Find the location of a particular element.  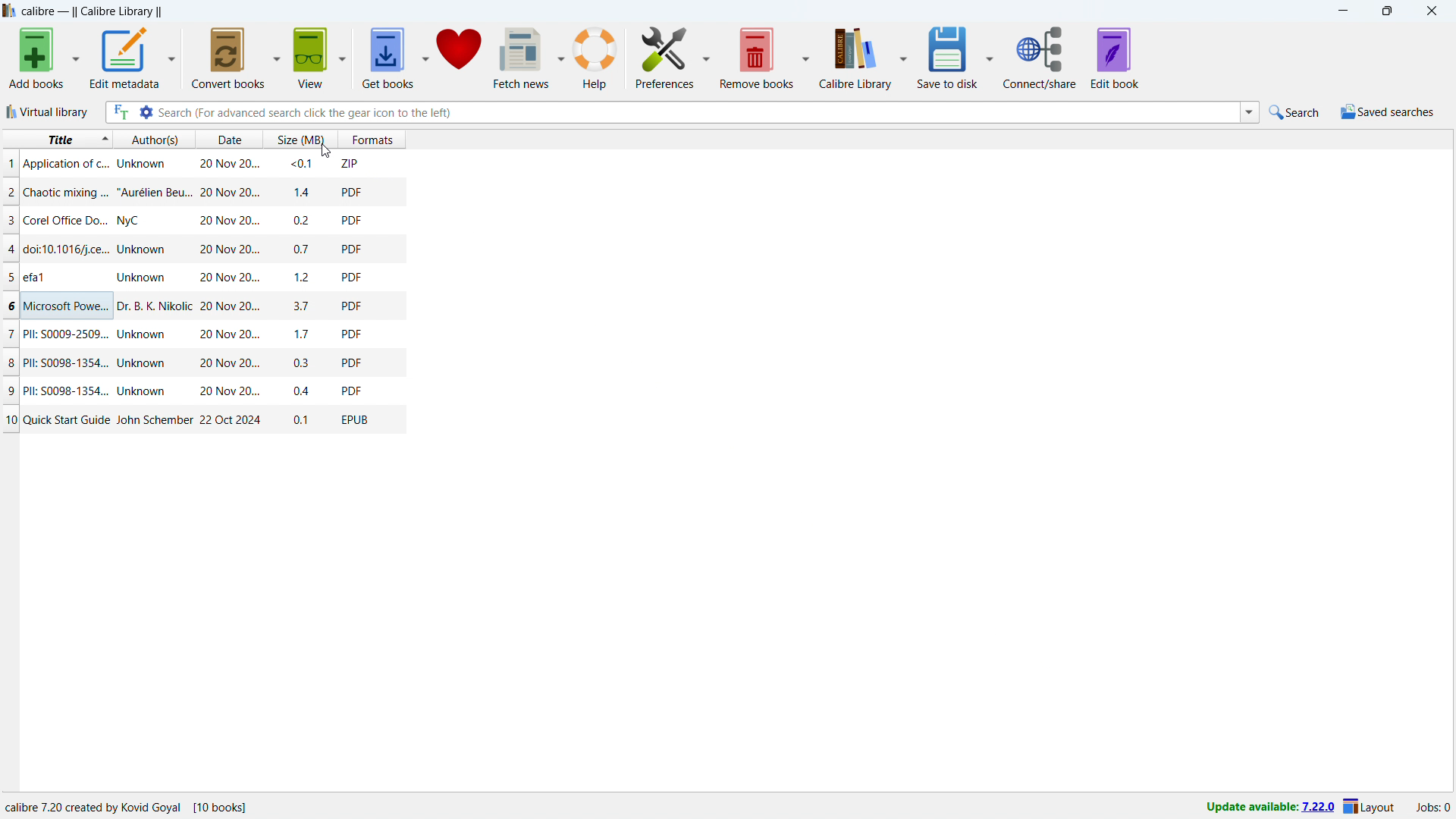

formats is located at coordinates (296, 138).